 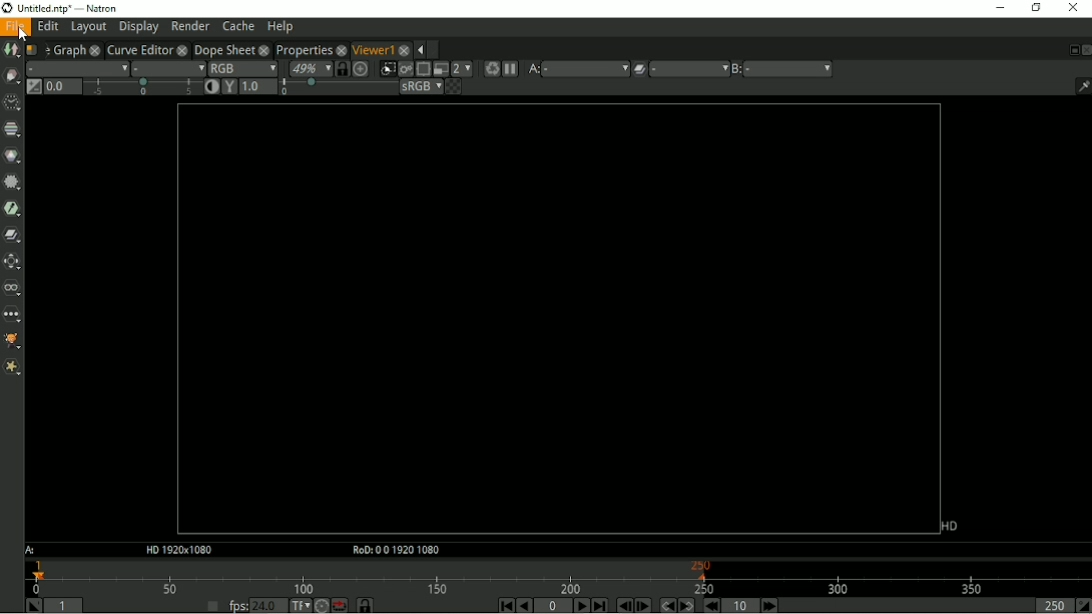 I want to click on Display Channels, so click(x=242, y=67).